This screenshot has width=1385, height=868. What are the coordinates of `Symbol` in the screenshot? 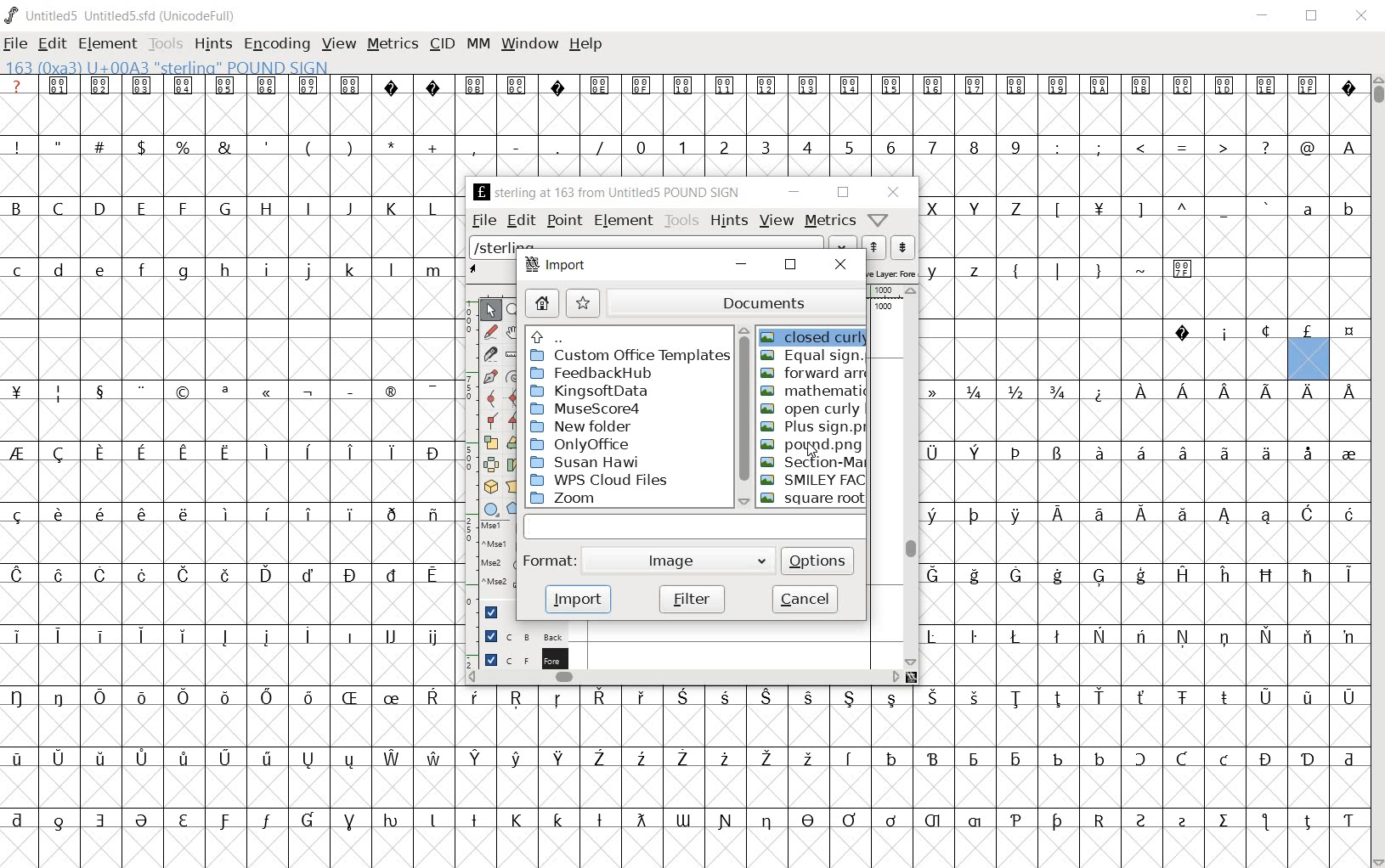 It's located at (350, 575).